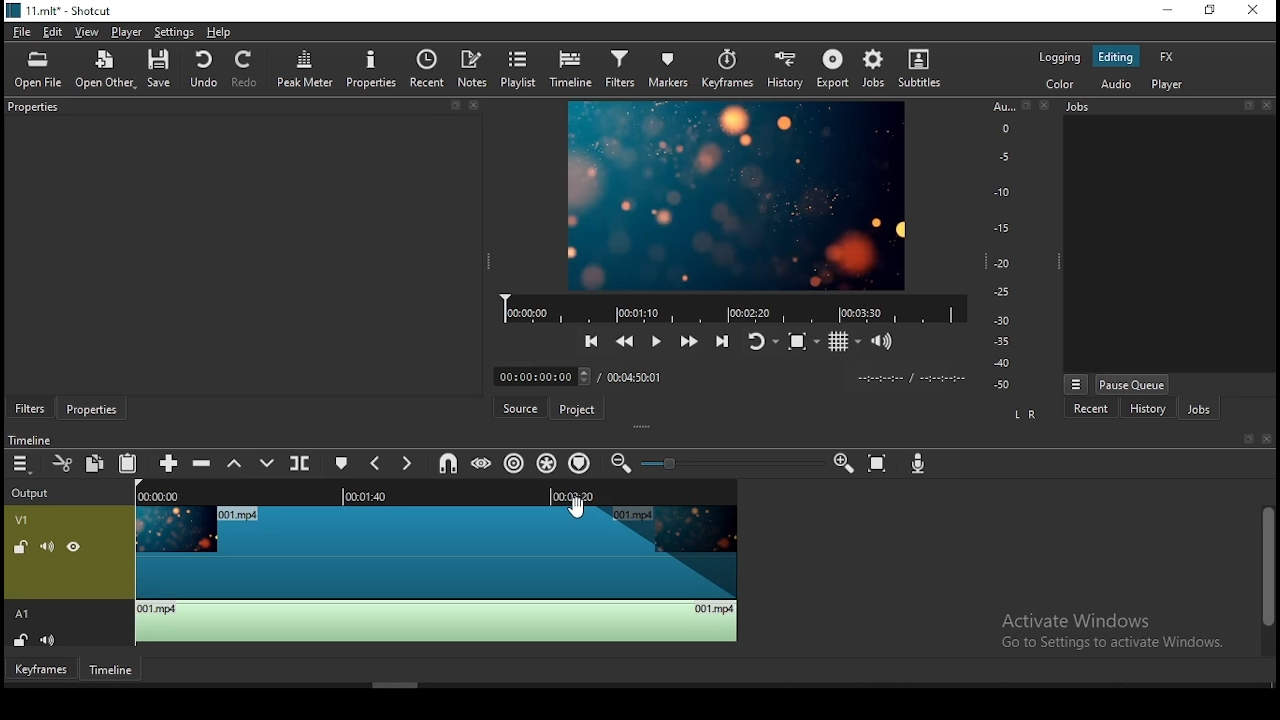 This screenshot has height=720, width=1280. What do you see at coordinates (34, 494) in the screenshot?
I see `output` at bounding box center [34, 494].